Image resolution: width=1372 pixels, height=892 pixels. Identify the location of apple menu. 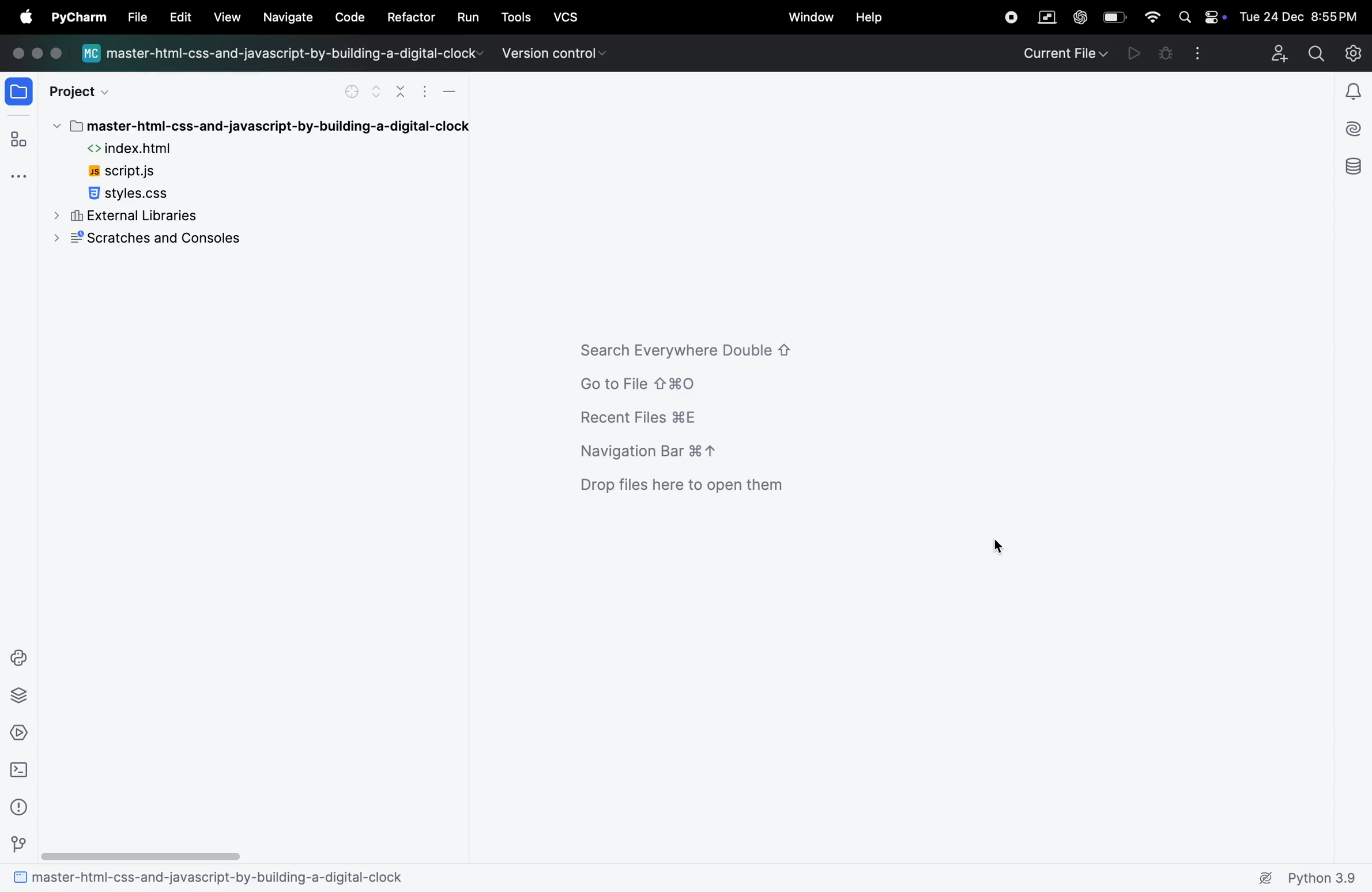
(22, 18).